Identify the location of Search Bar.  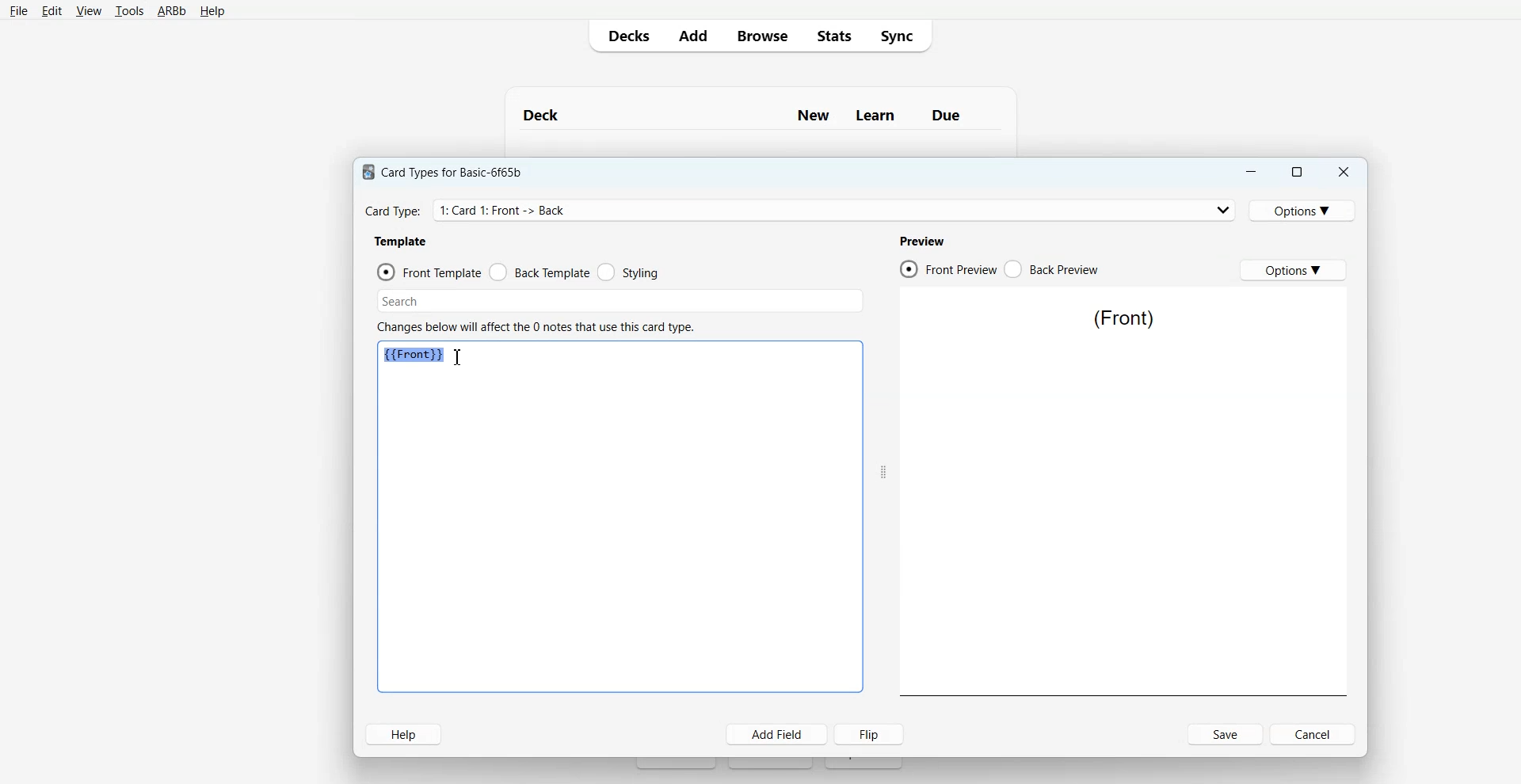
(619, 301).